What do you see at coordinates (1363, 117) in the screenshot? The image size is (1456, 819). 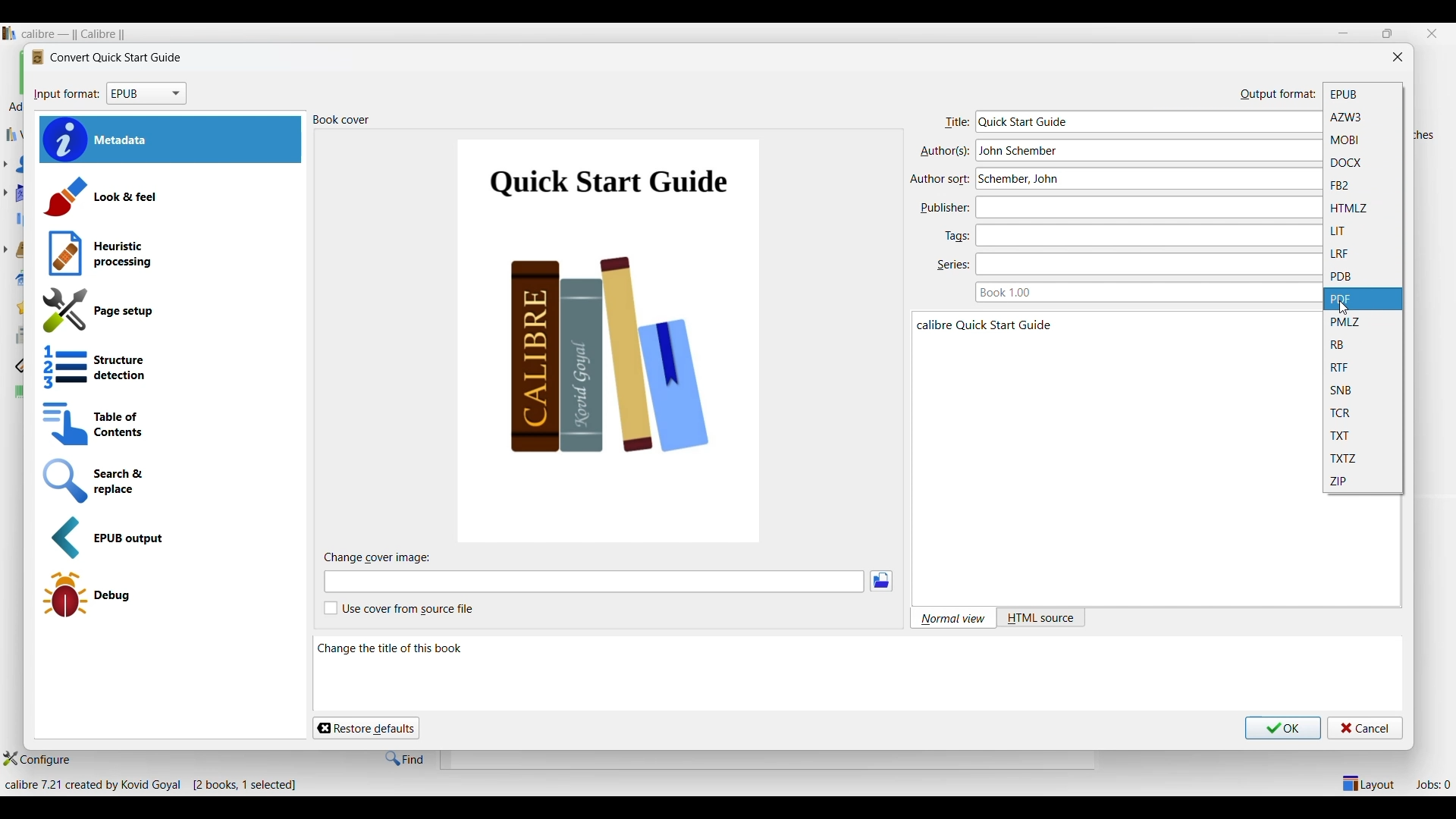 I see `AZW3` at bounding box center [1363, 117].